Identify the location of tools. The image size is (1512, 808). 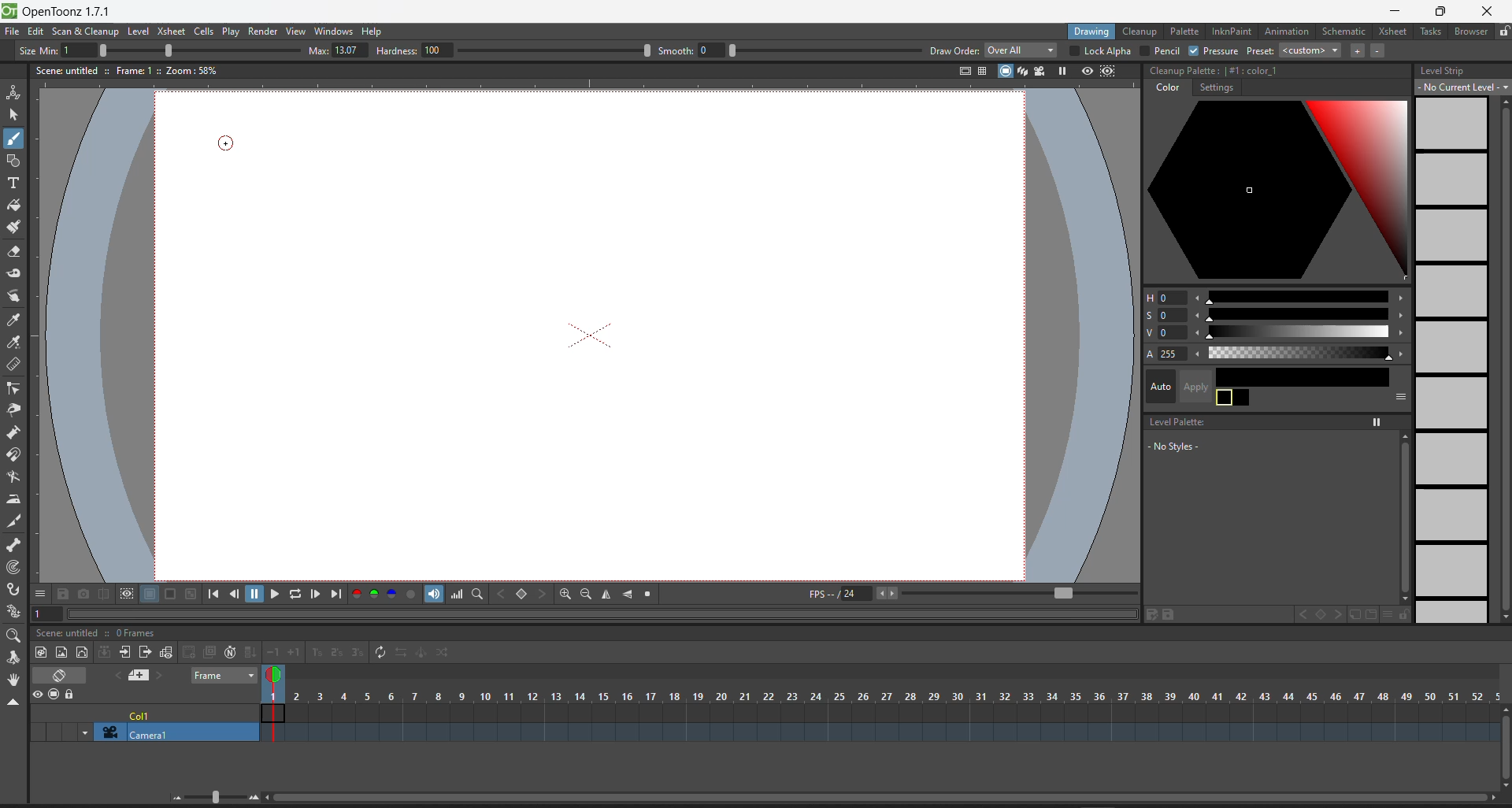
(1430, 31).